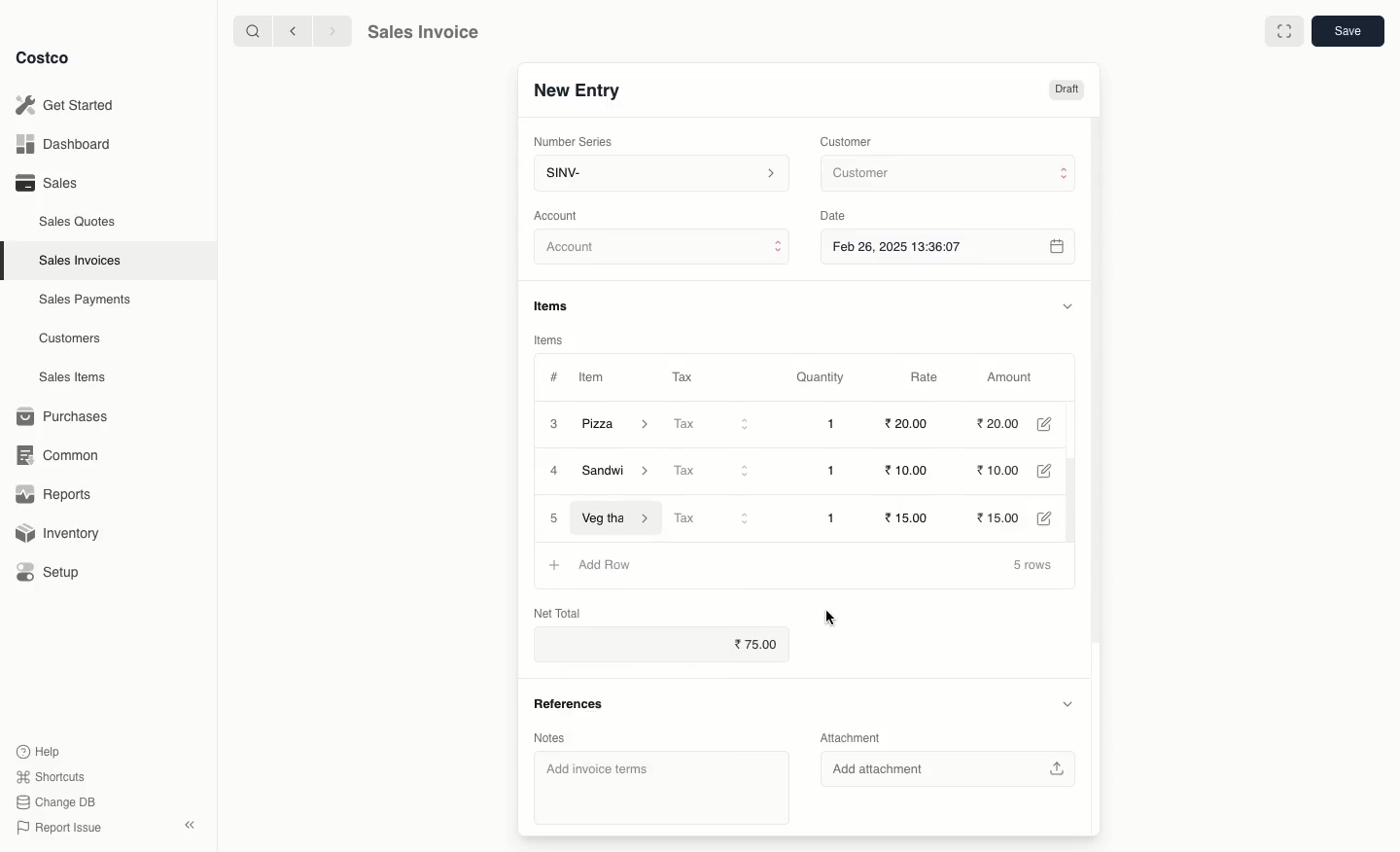 Image resolution: width=1400 pixels, height=852 pixels. I want to click on SINV-, so click(660, 175).